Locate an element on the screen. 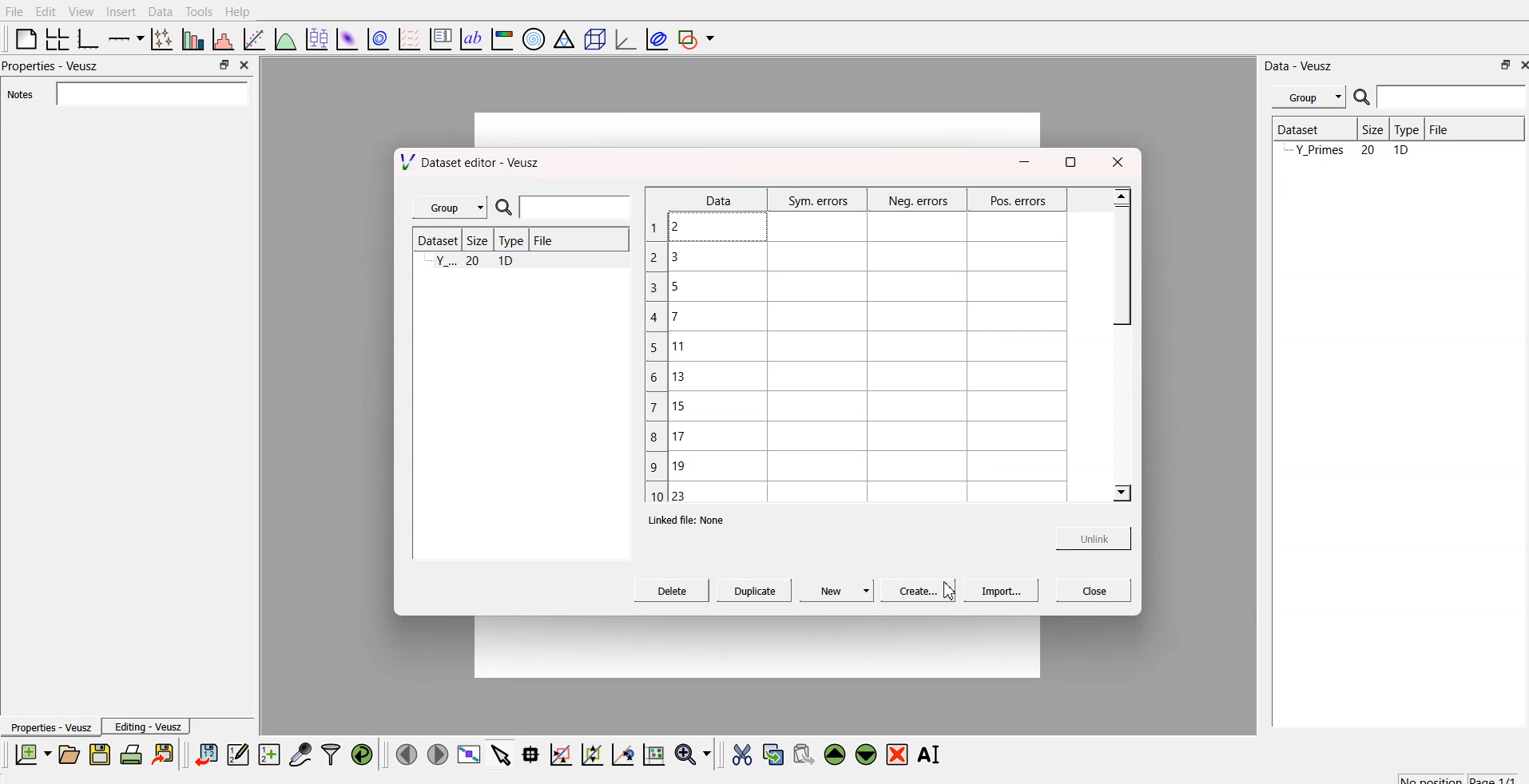 Image resolution: width=1529 pixels, height=784 pixels. Data is located at coordinates (160, 10).